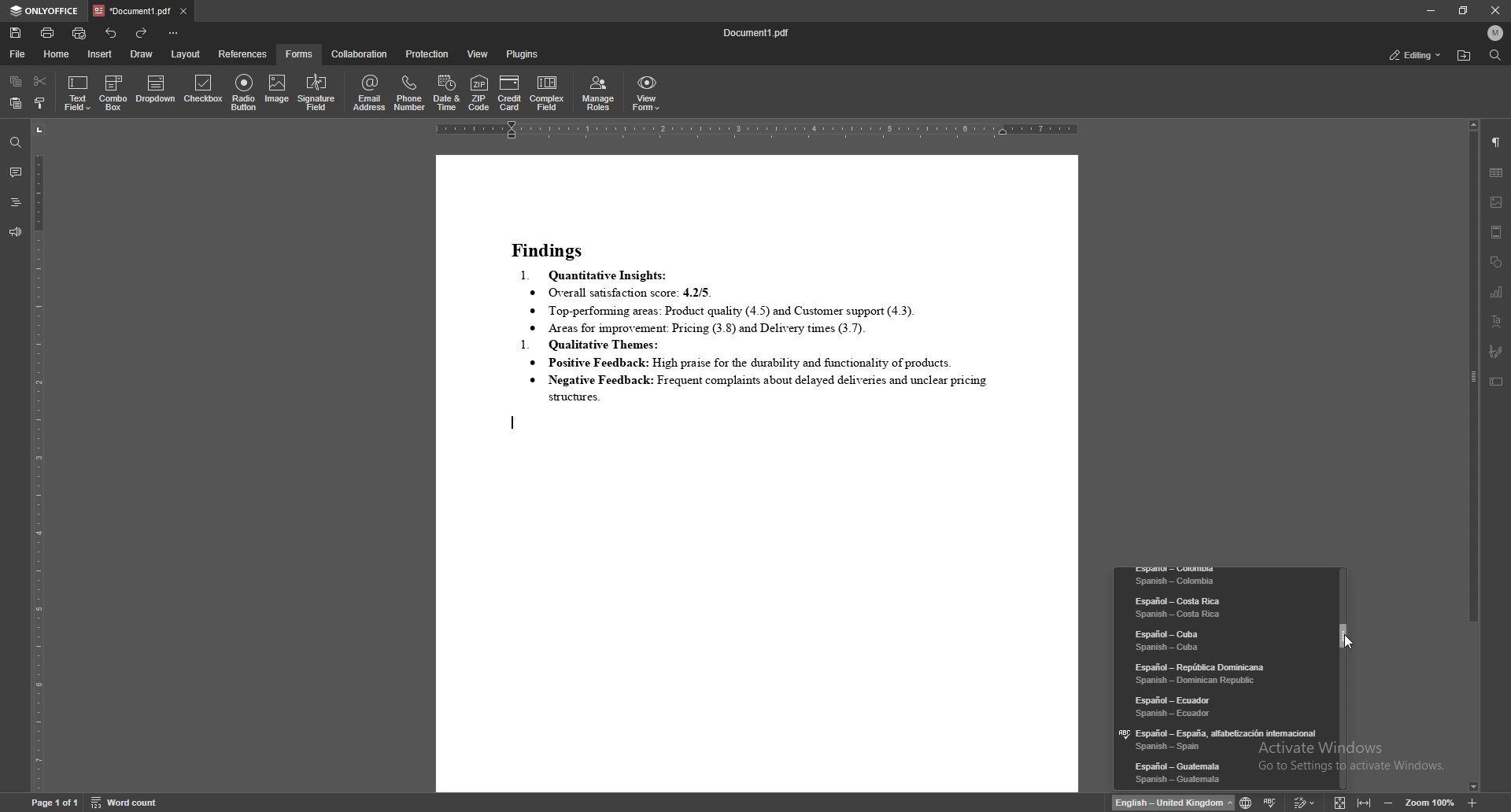  What do you see at coordinates (1365, 803) in the screenshot?
I see `fit to width` at bounding box center [1365, 803].